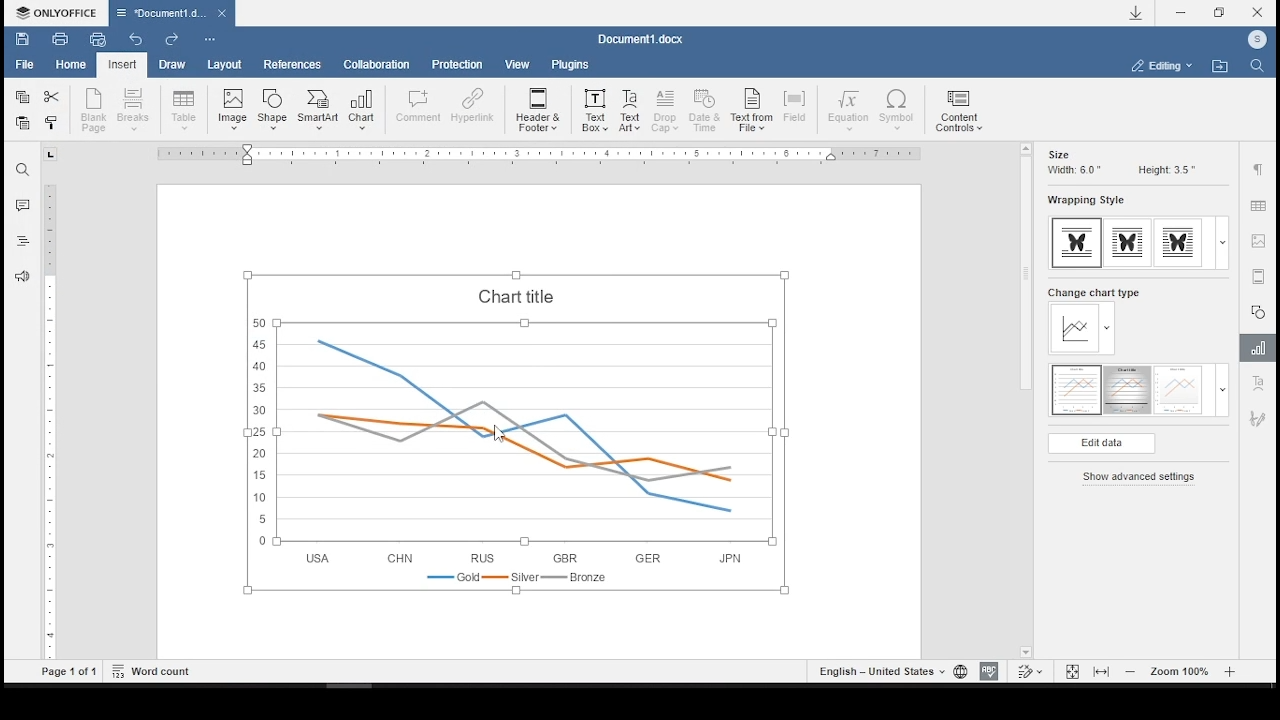  What do you see at coordinates (1128, 244) in the screenshot?
I see `wrapping style` at bounding box center [1128, 244].